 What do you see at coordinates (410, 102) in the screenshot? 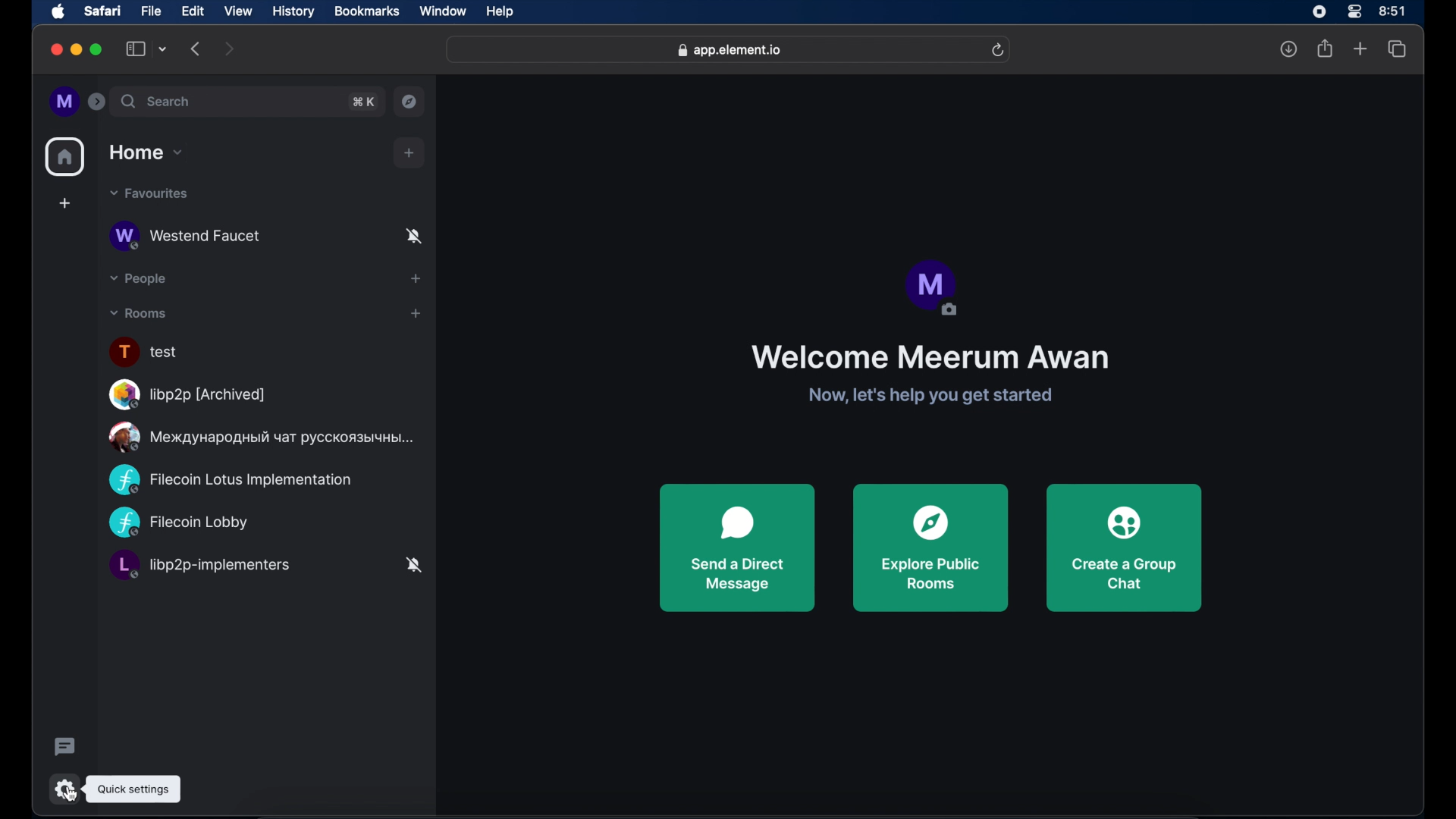
I see `explore public rooms` at bounding box center [410, 102].